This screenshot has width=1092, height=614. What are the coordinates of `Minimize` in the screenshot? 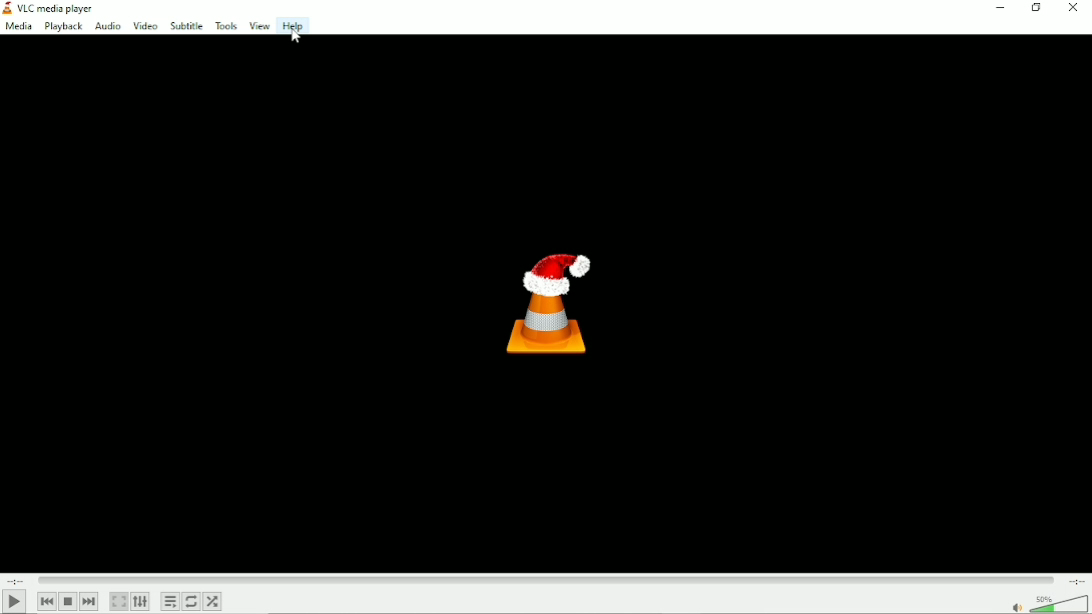 It's located at (998, 8).